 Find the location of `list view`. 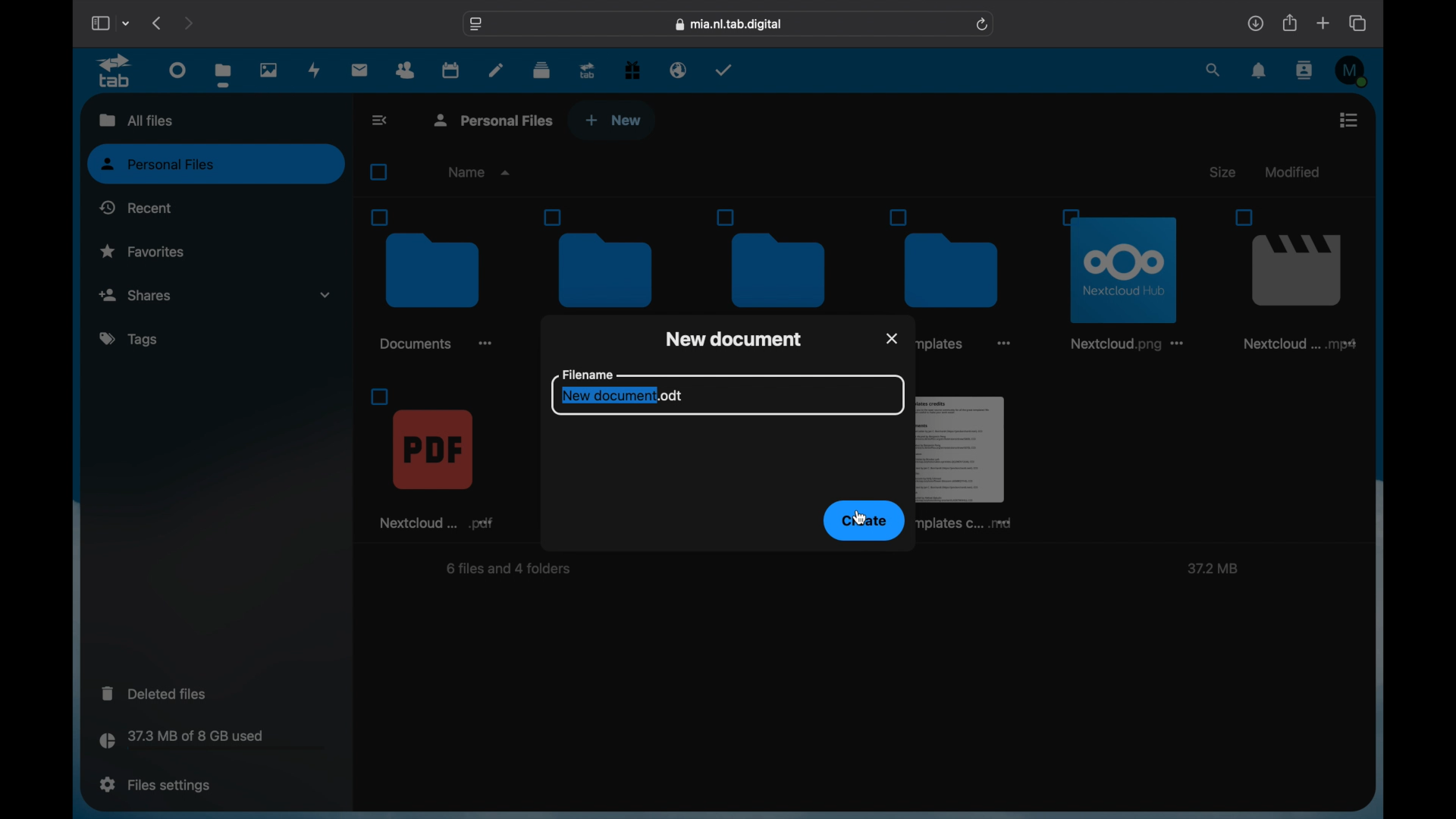

list view is located at coordinates (1348, 120).